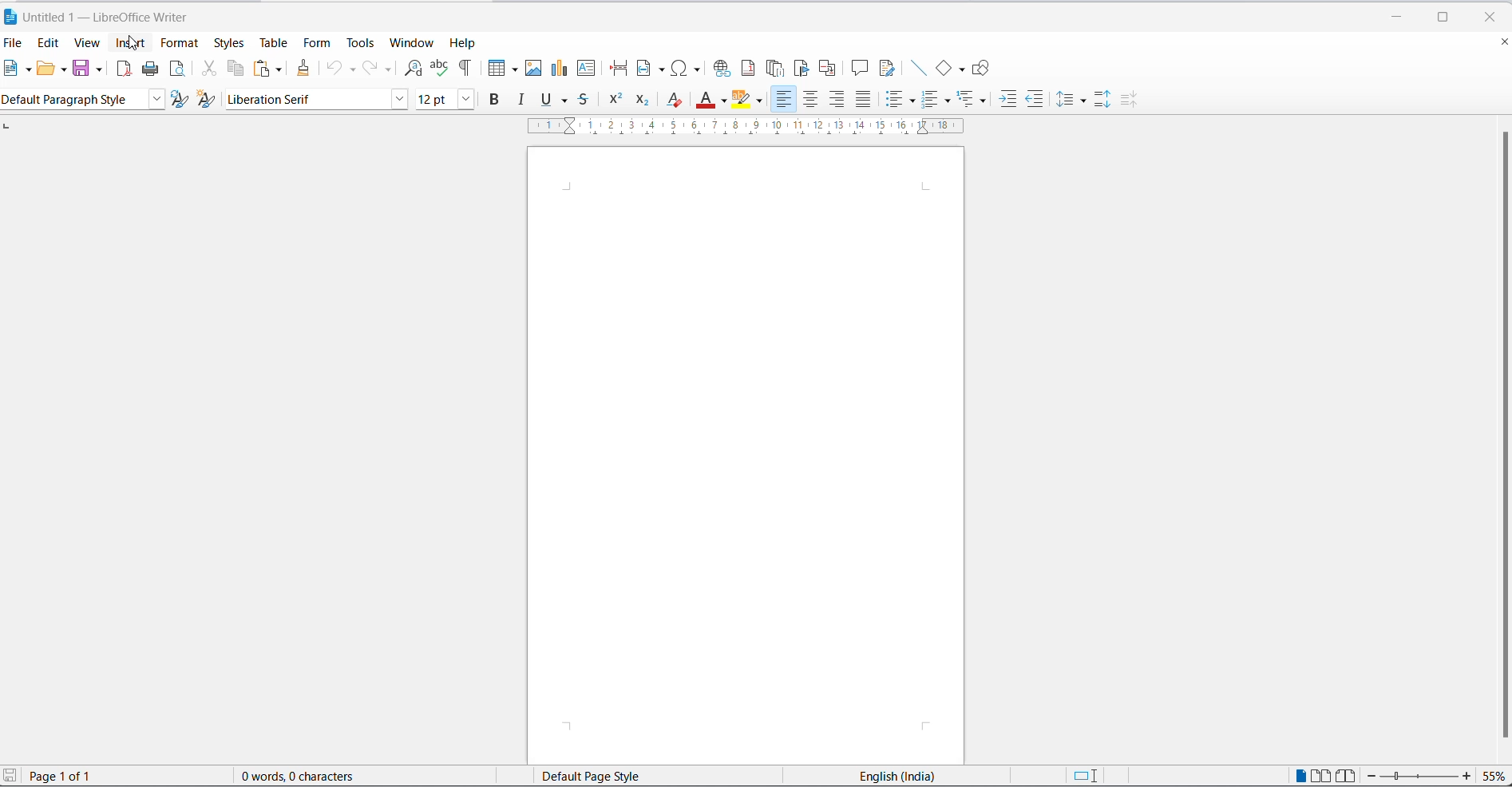 The width and height of the screenshot is (1512, 787). Describe the element at coordinates (745, 99) in the screenshot. I see `character highlighting` at that location.